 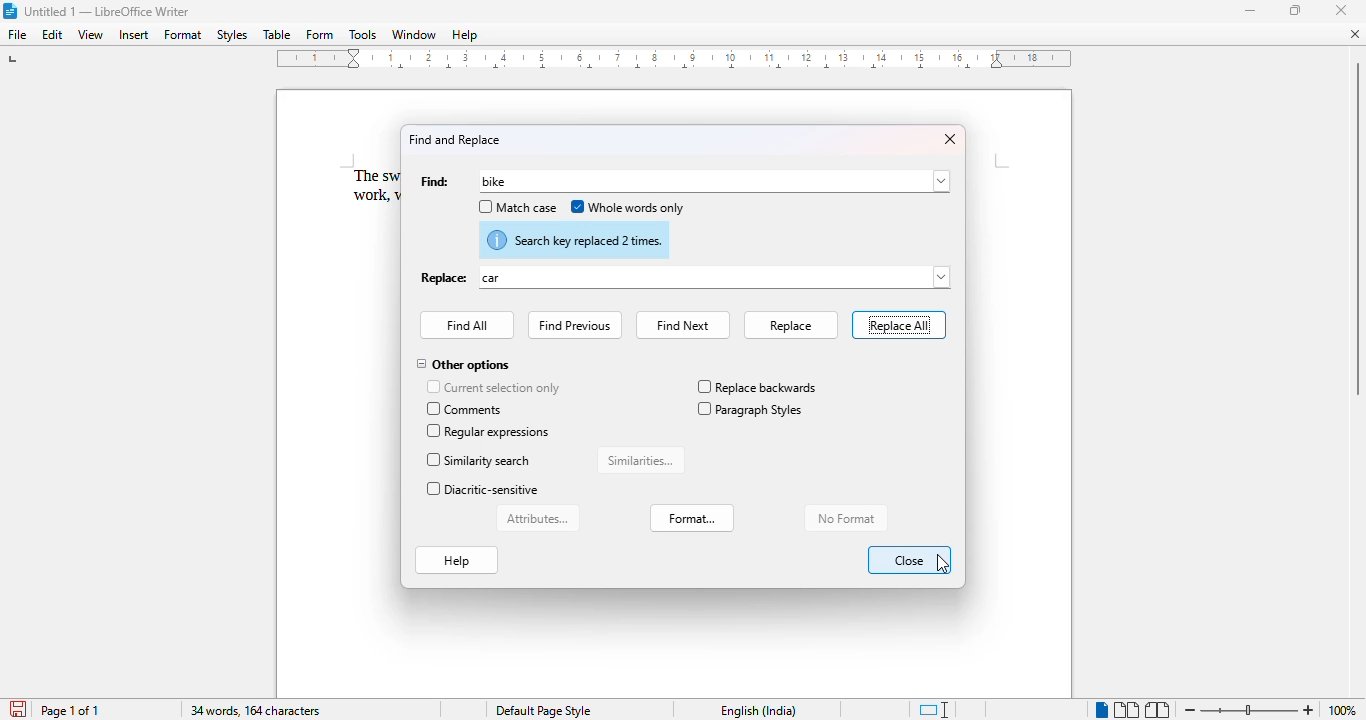 What do you see at coordinates (540, 518) in the screenshot?
I see `attributes` at bounding box center [540, 518].